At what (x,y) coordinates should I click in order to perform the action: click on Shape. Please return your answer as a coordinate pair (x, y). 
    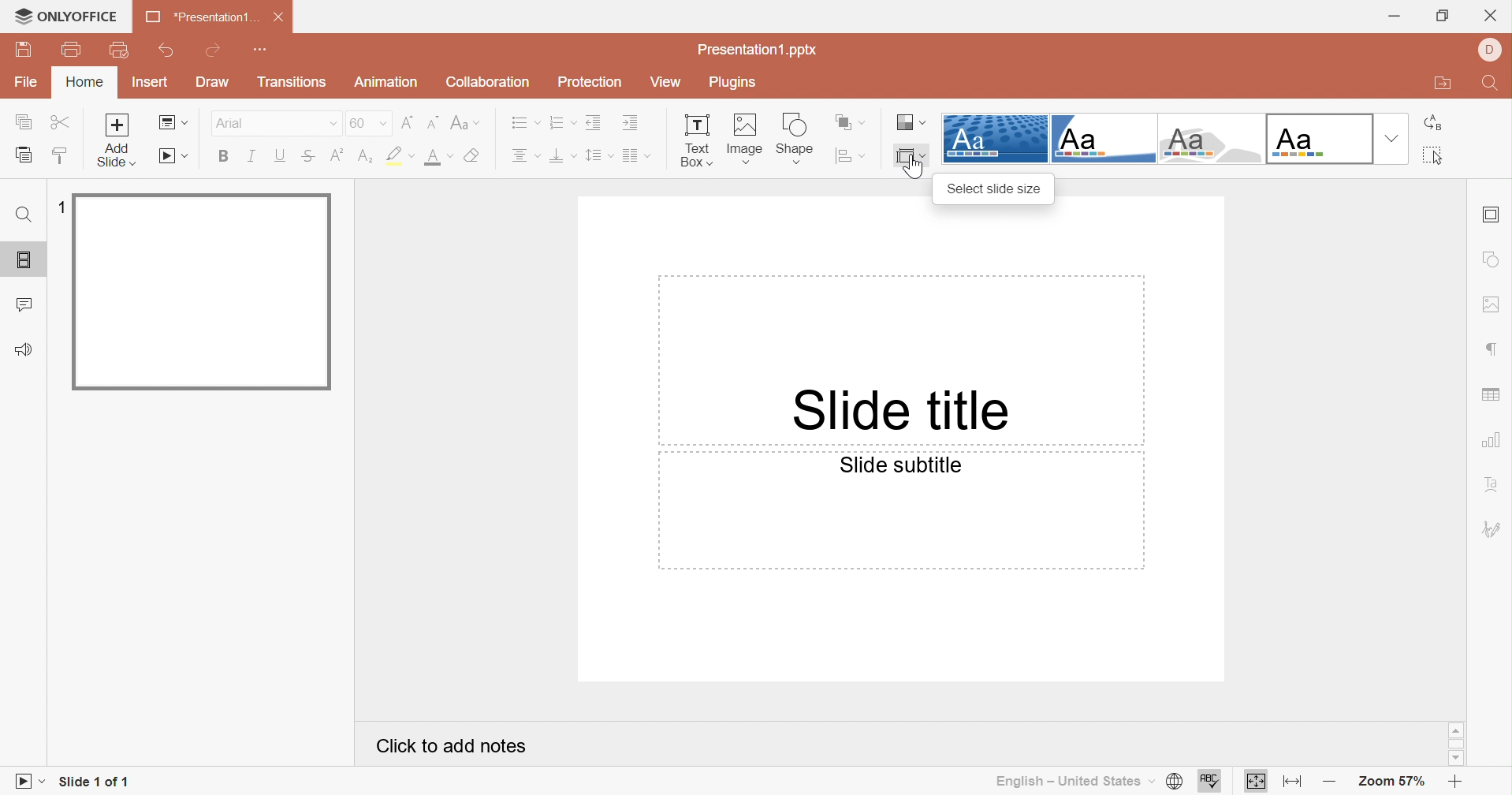
    Looking at the image, I should click on (793, 138).